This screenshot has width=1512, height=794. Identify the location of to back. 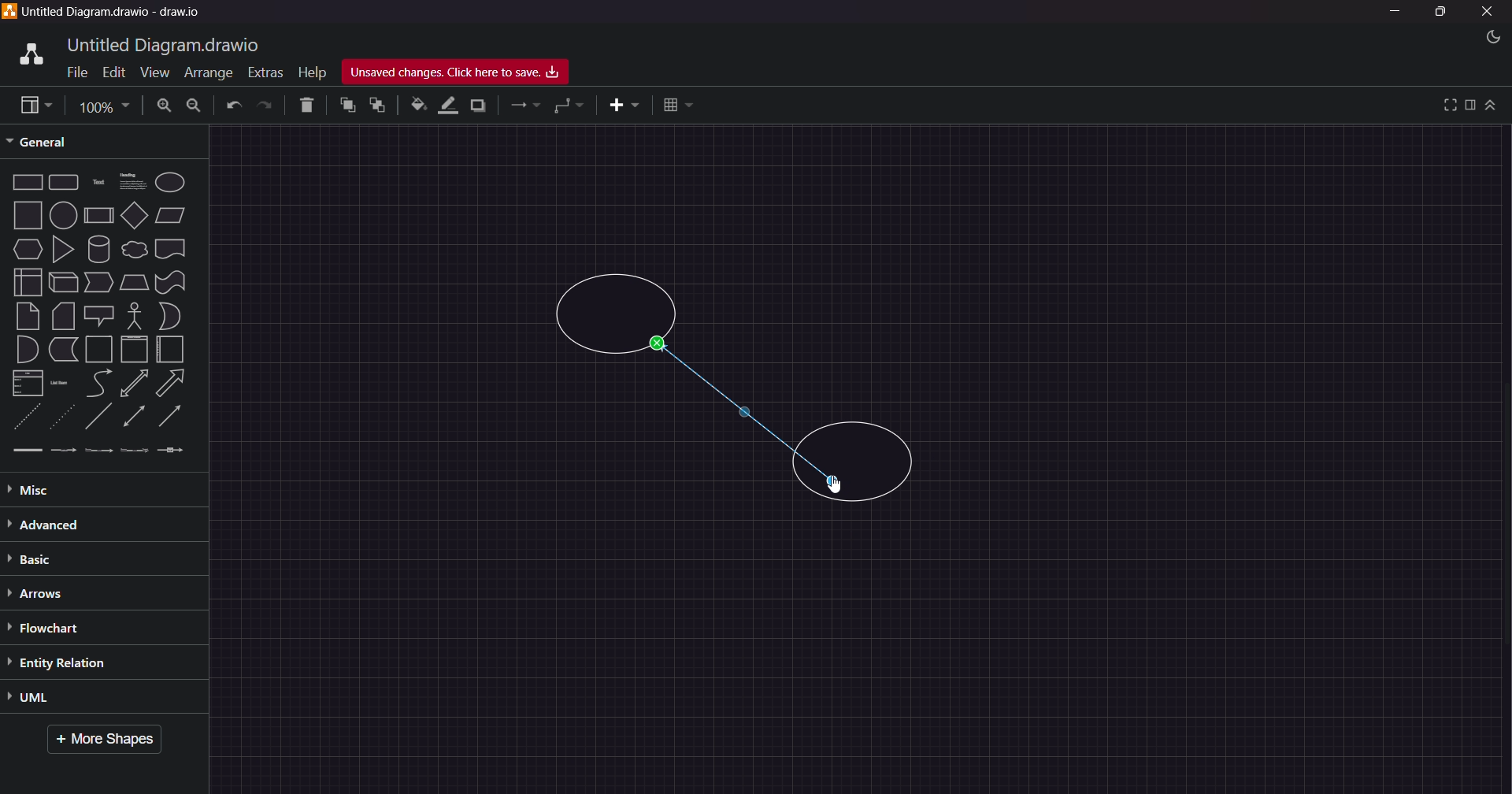
(375, 106).